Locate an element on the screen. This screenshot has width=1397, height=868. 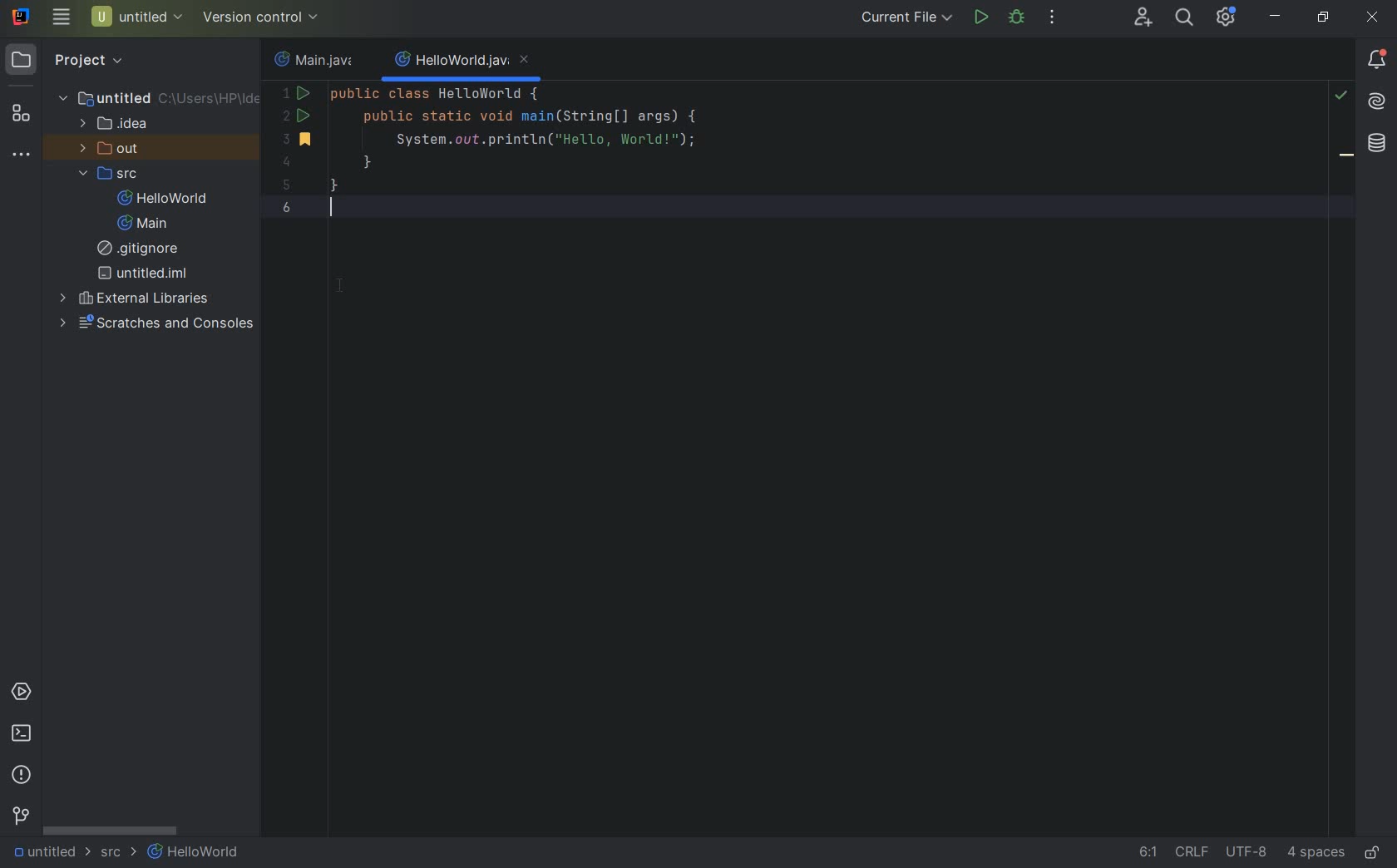
search everywhere is located at coordinates (1182, 17).